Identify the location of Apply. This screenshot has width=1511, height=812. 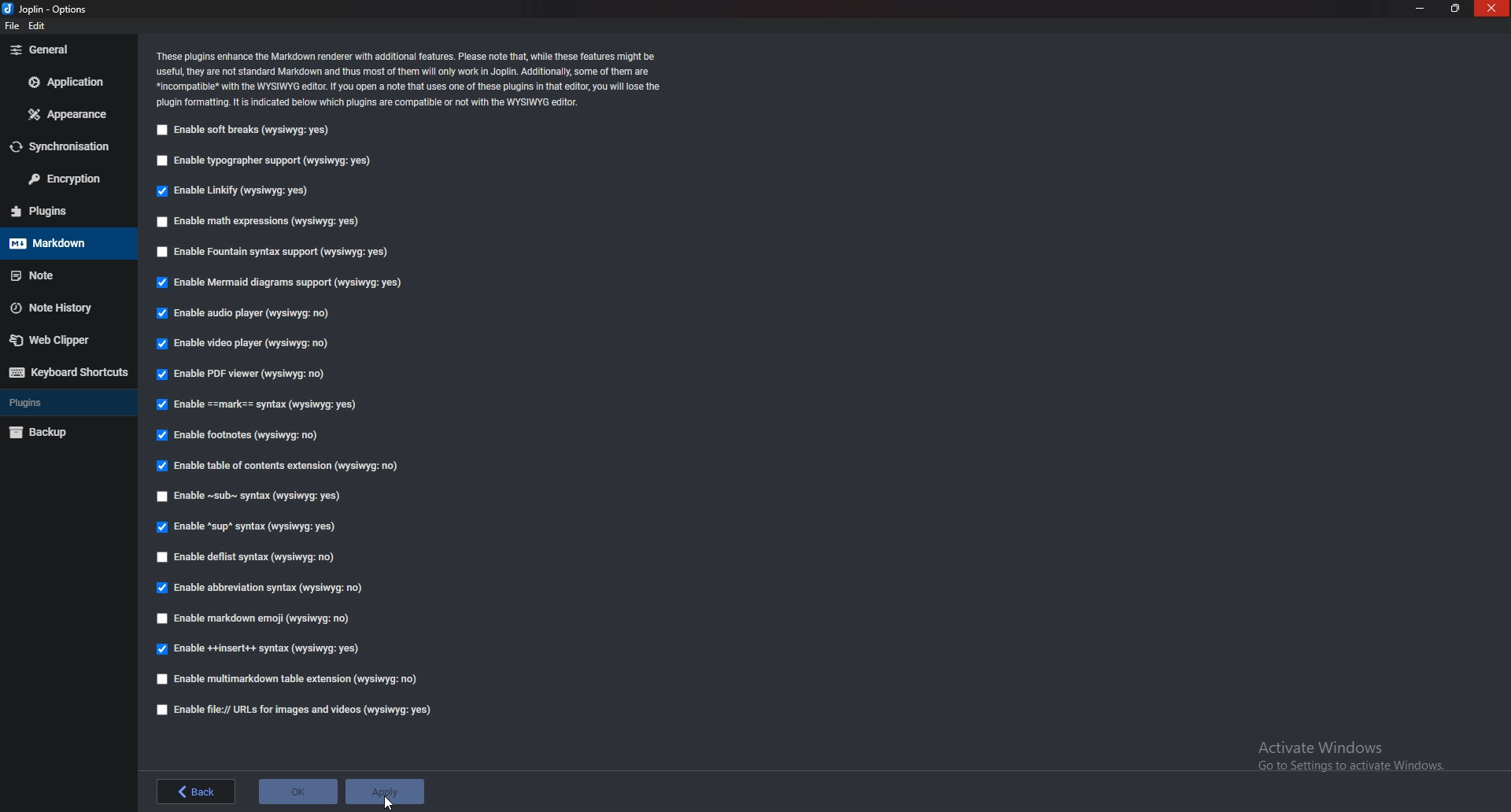
(388, 786).